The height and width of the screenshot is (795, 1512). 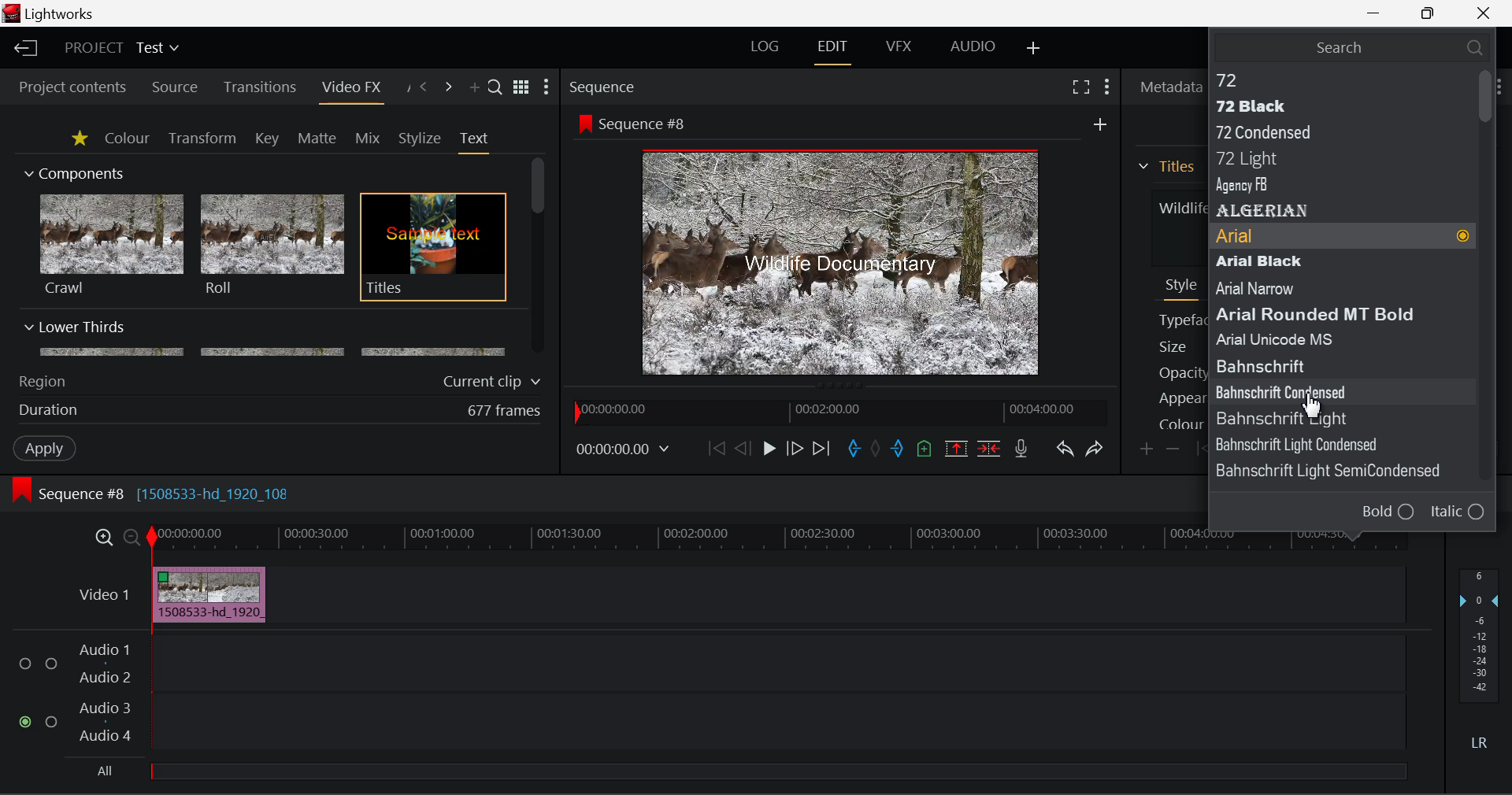 What do you see at coordinates (743, 448) in the screenshot?
I see `Go Back` at bounding box center [743, 448].